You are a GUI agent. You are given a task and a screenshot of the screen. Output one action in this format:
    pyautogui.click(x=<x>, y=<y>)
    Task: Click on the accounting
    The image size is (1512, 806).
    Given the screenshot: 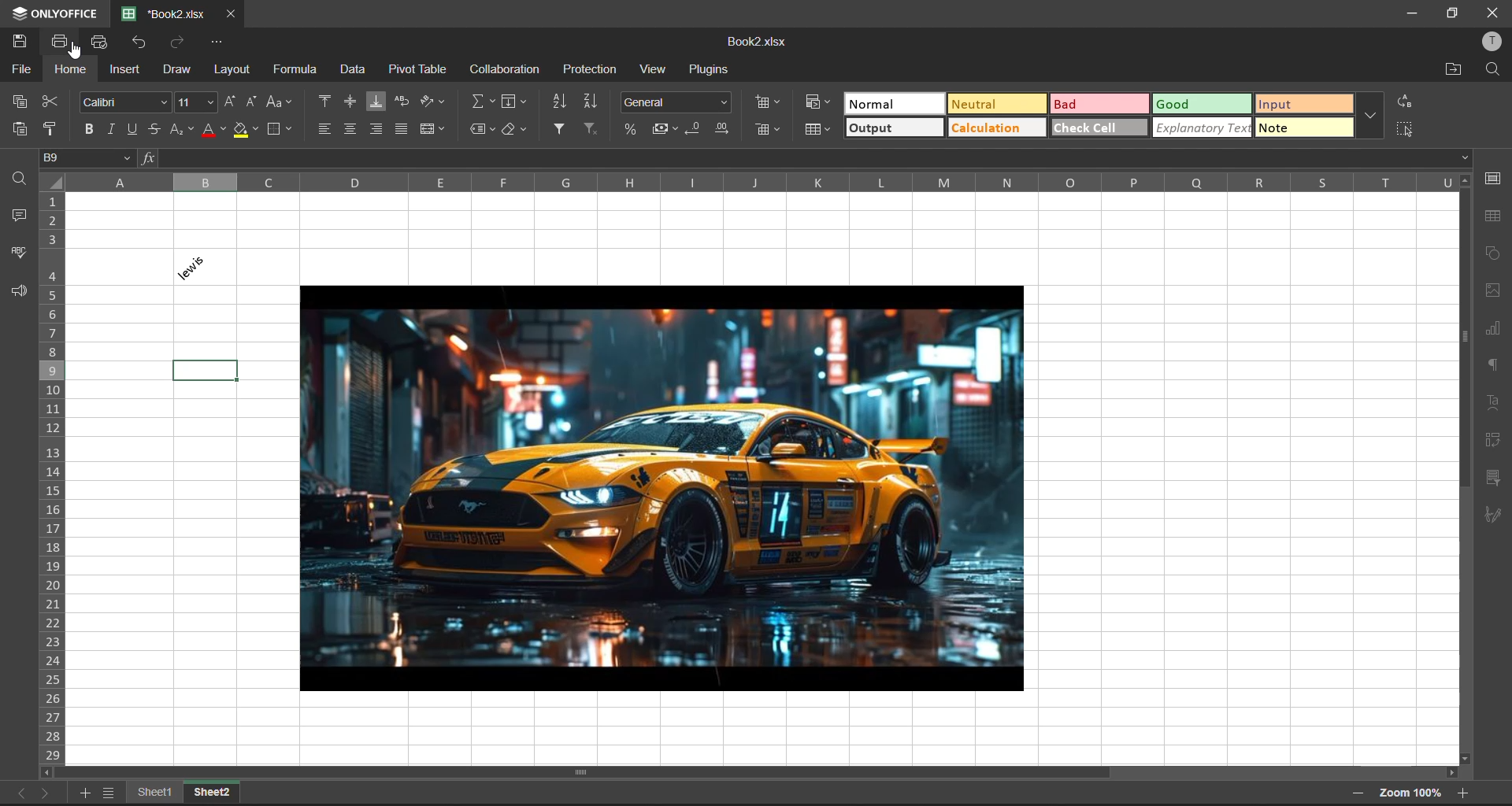 What is the action you would take?
    pyautogui.click(x=662, y=128)
    